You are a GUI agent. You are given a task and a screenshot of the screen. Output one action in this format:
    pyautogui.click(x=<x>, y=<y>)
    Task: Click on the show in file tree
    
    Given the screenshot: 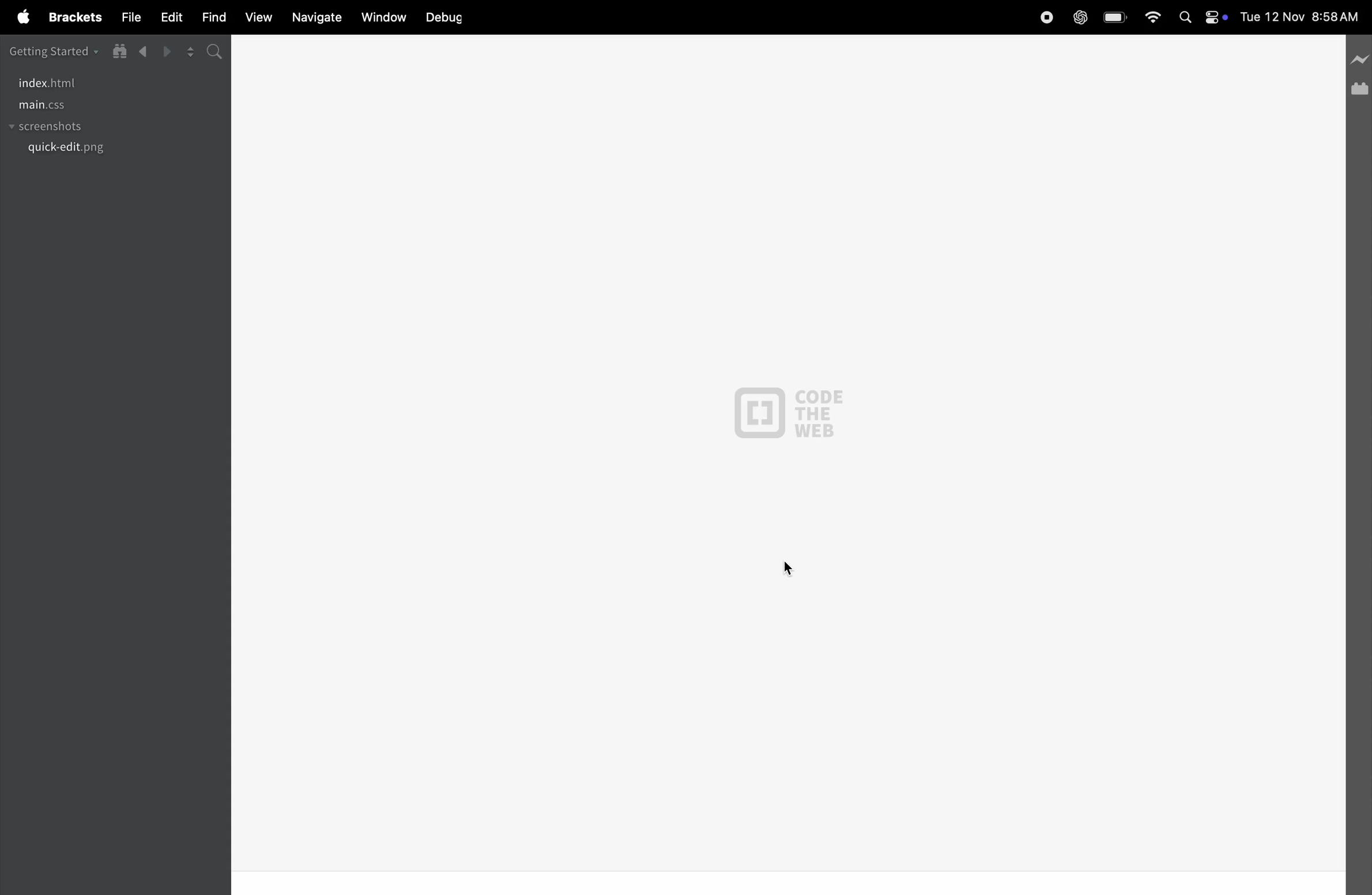 What is the action you would take?
    pyautogui.click(x=119, y=51)
    